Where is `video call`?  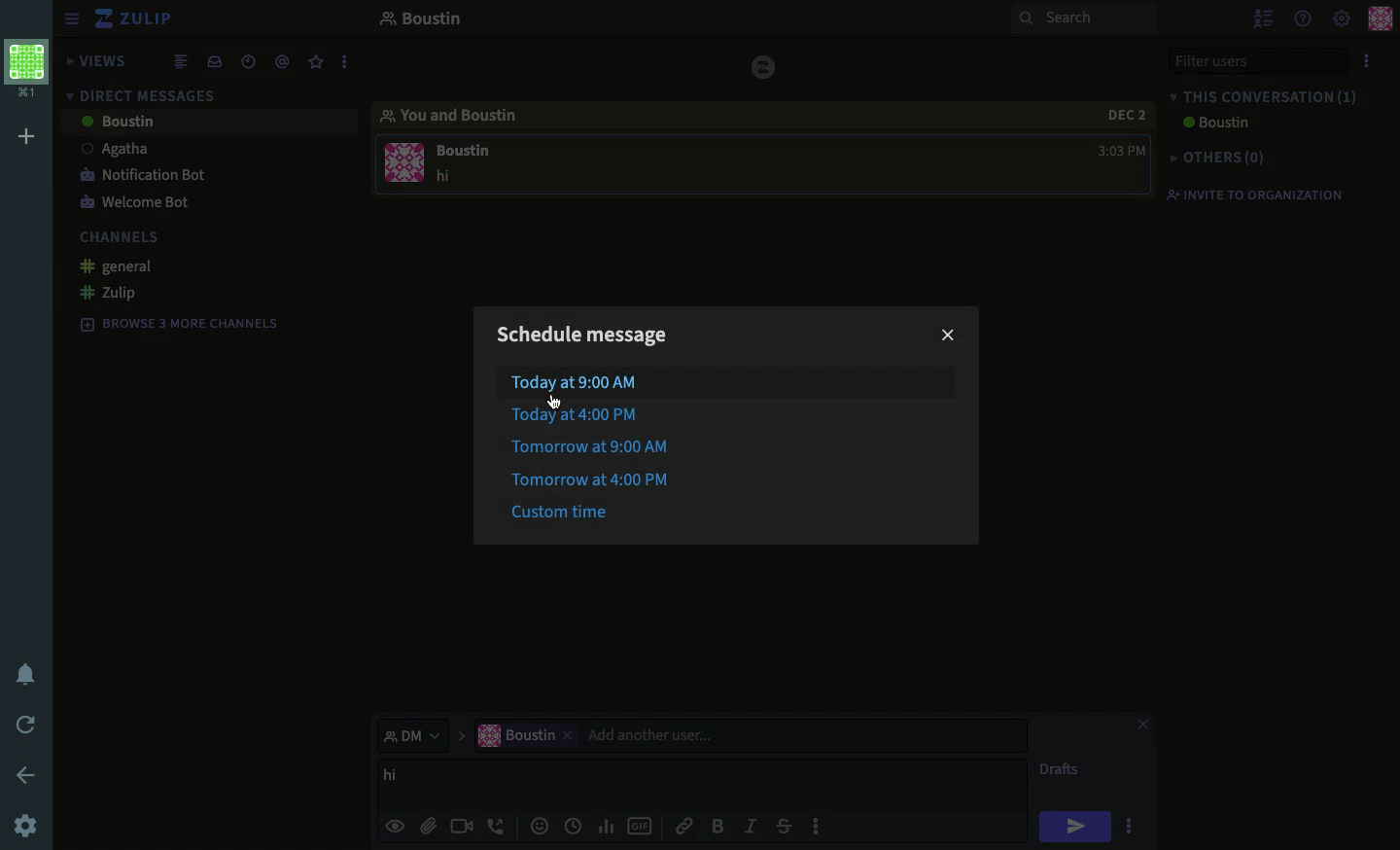
video call is located at coordinates (460, 826).